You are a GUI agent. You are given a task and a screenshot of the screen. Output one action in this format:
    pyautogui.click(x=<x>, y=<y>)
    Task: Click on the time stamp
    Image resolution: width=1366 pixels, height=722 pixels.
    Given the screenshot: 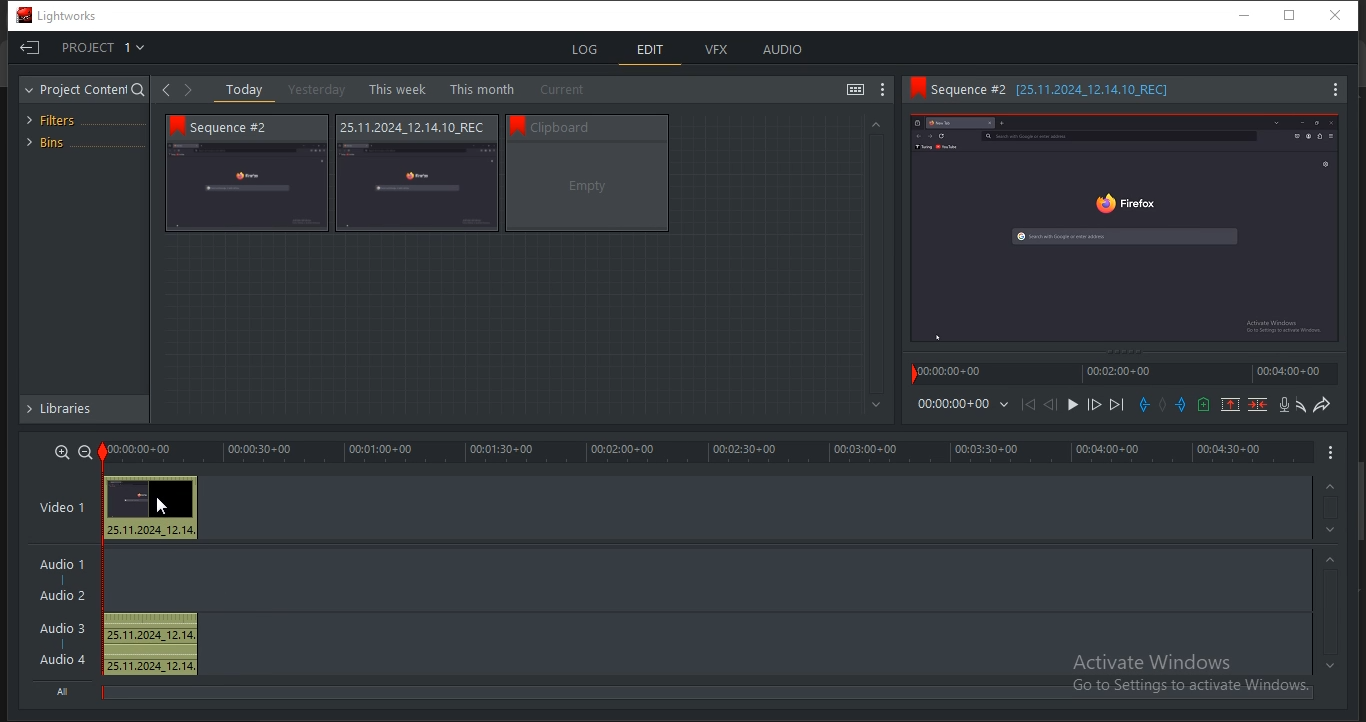 What is the action you would take?
    pyautogui.click(x=1291, y=374)
    